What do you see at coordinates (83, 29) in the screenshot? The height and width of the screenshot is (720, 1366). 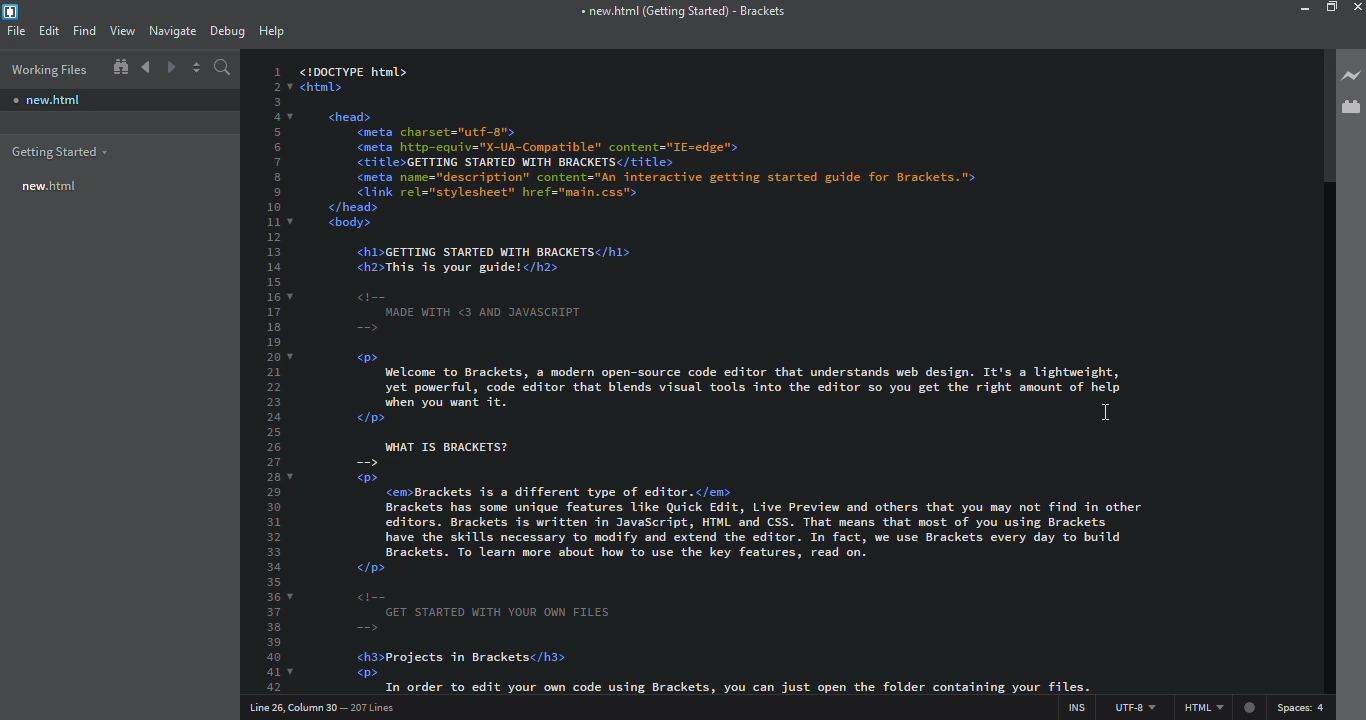 I see `find` at bounding box center [83, 29].